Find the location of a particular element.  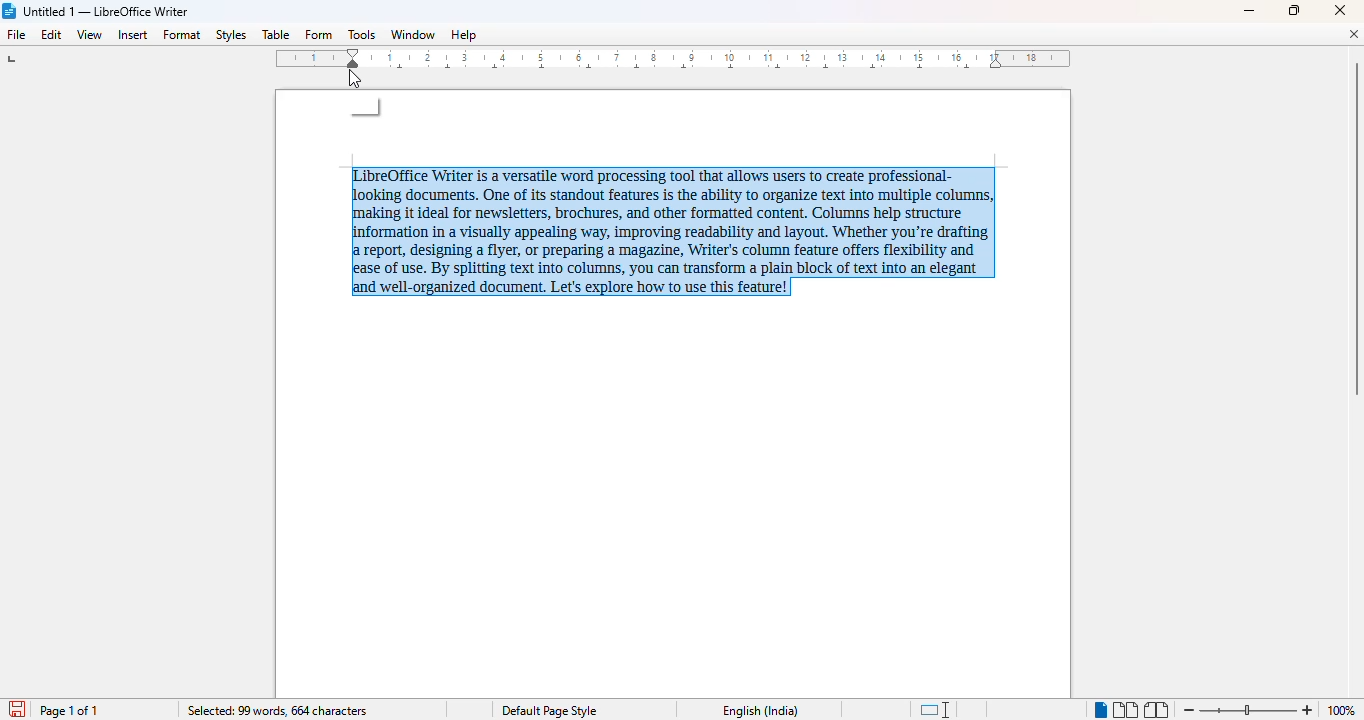

edit is located at coordinates (52, 34).